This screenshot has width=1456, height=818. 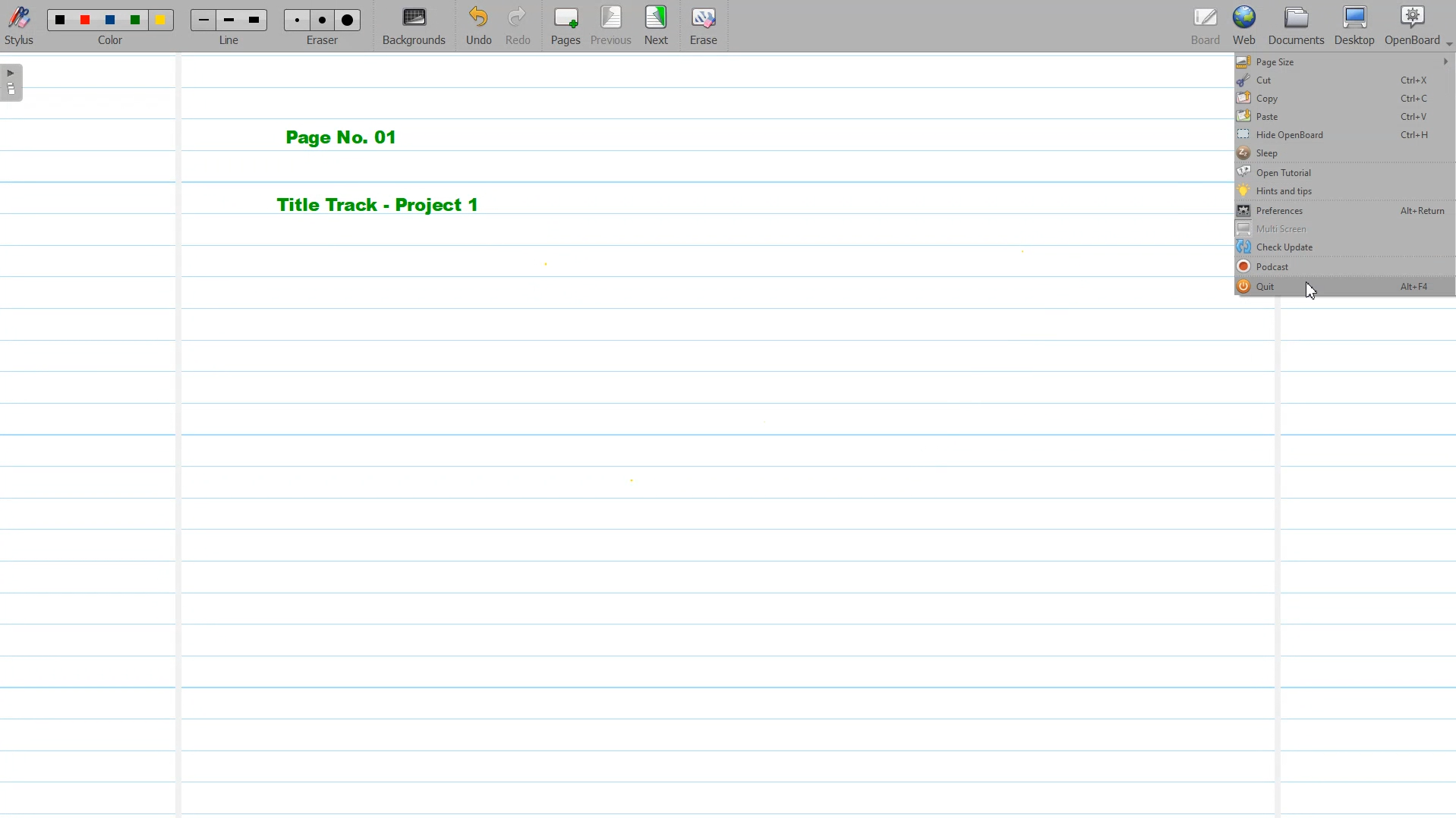 What do you see at coordinates (1344, 80) in the screenshot?
I see `Cut` at bounding box center [1344, 80].